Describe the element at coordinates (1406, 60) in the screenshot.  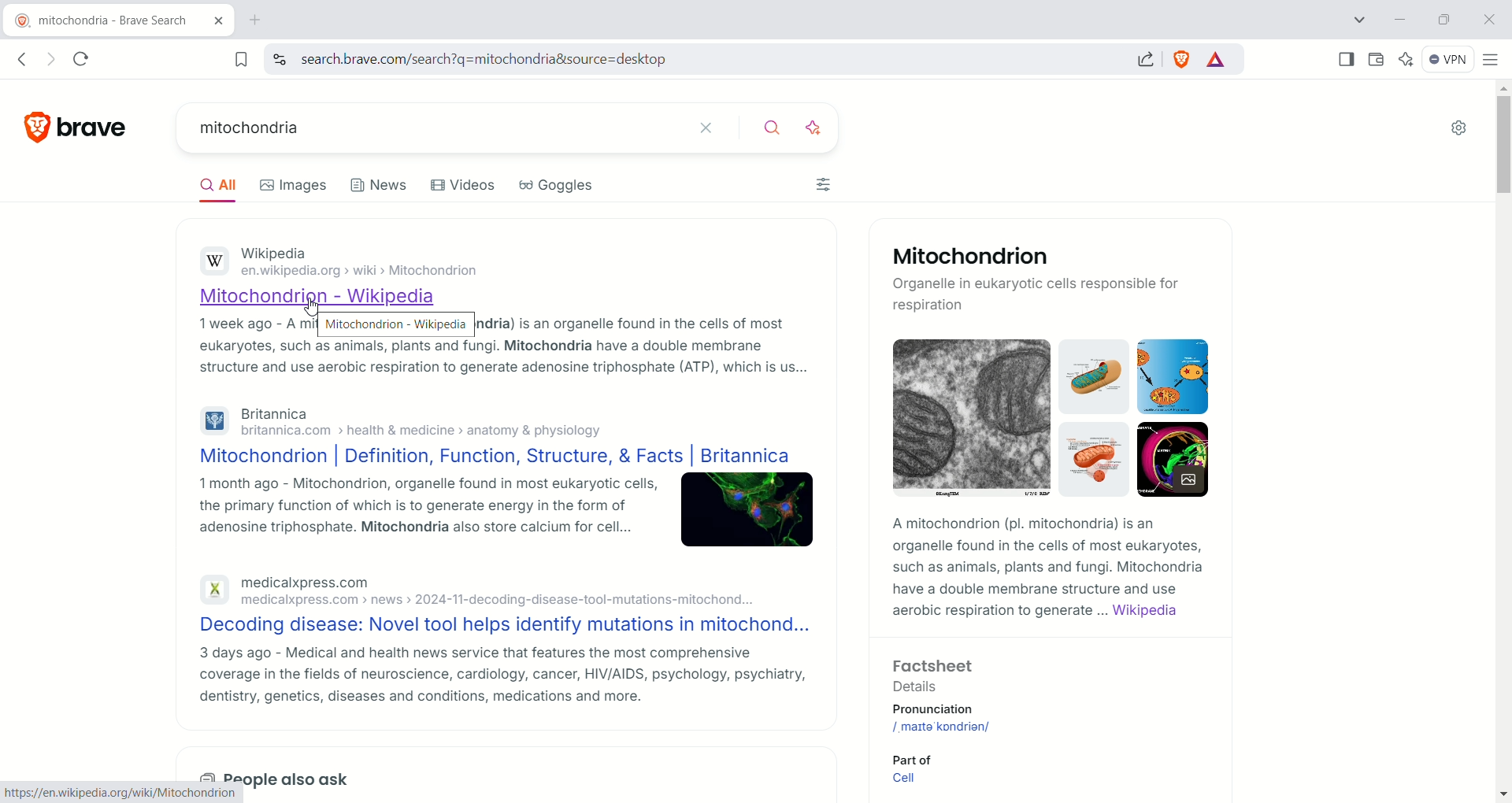
I see `leo AI` at that location.